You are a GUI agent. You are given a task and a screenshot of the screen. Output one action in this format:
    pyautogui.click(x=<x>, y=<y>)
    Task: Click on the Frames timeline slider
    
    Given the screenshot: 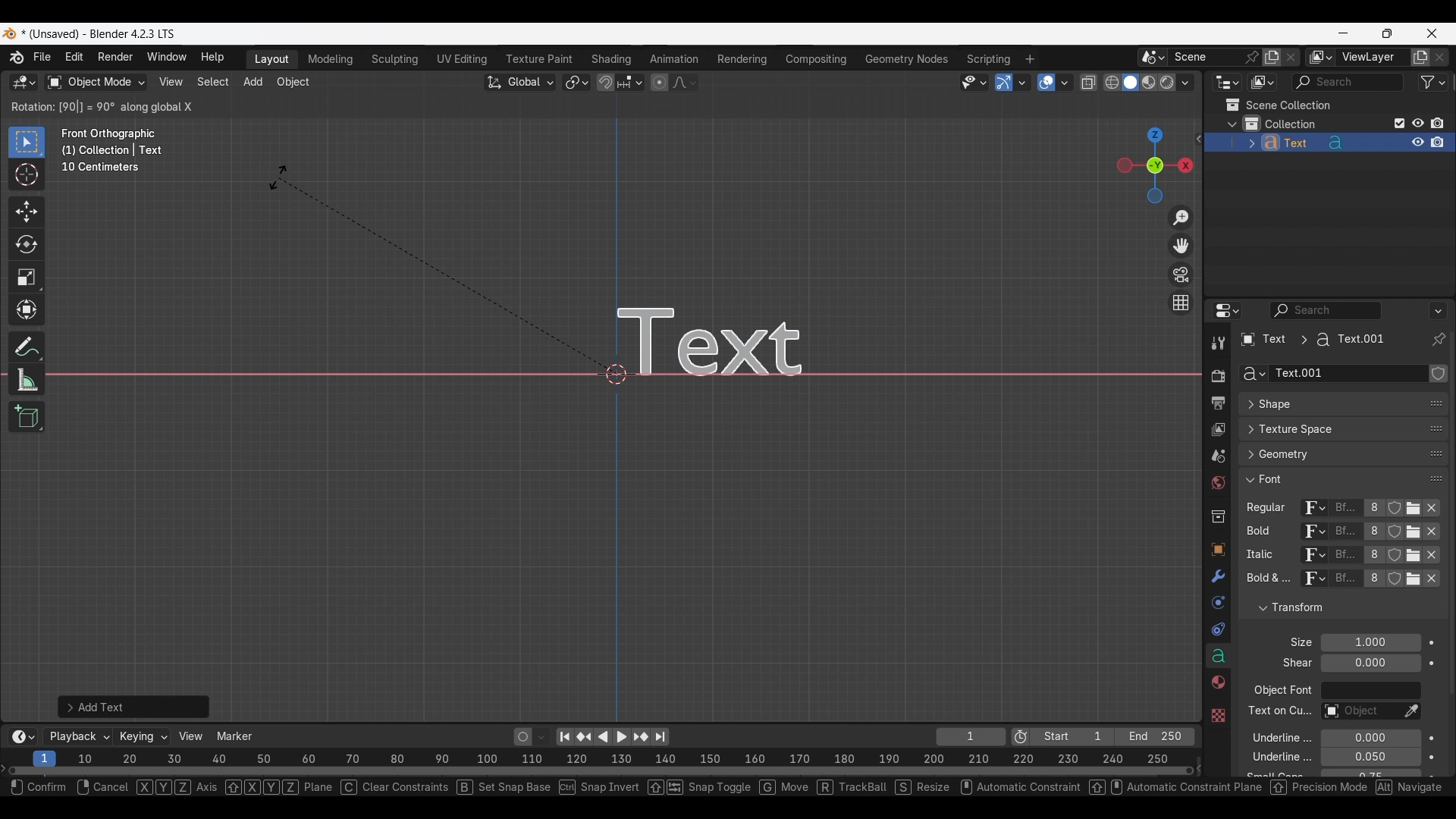 What is the action you would take?
    pyautogui.click(x=600, y=772)
    